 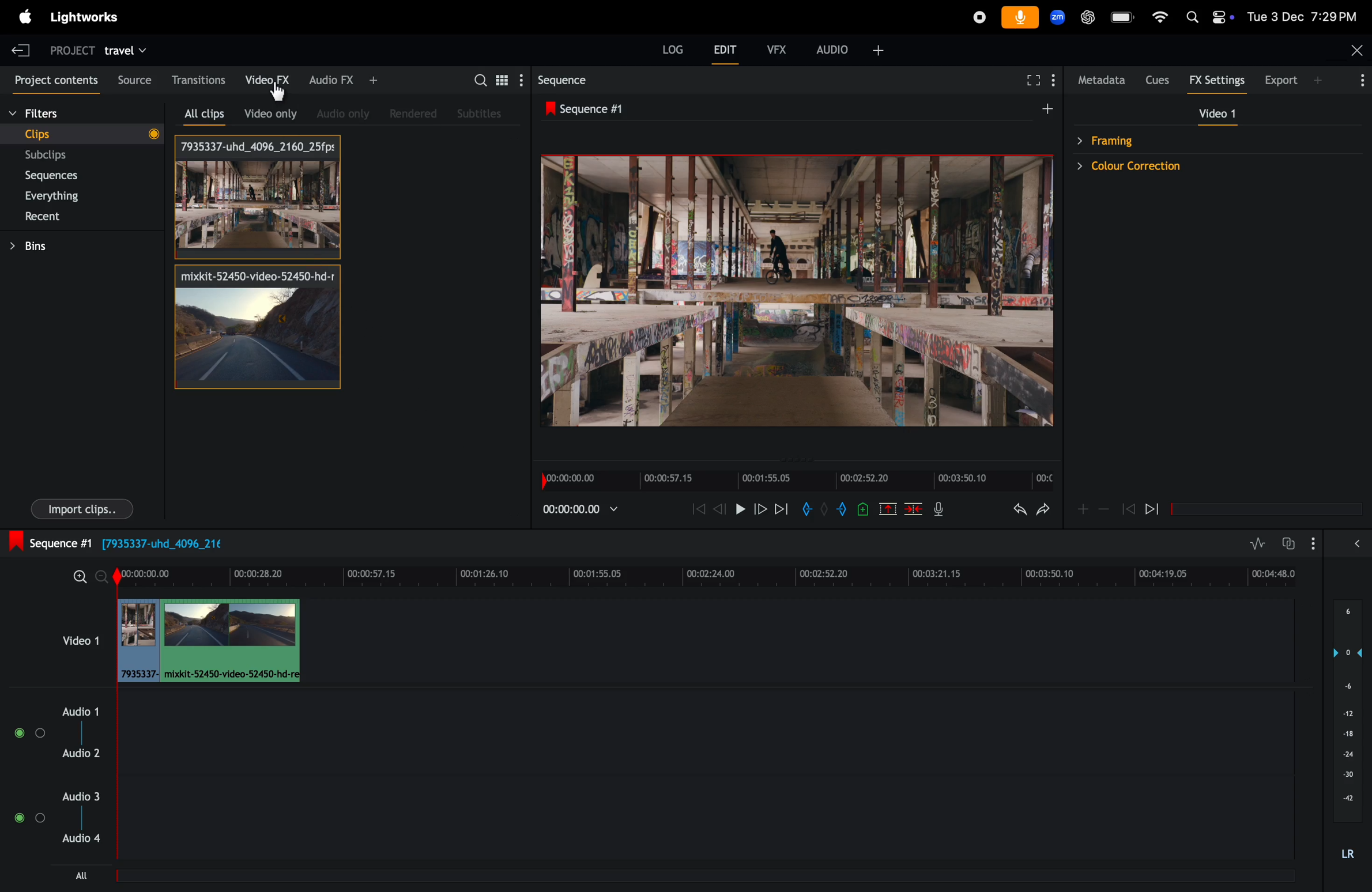 I want to click on all, so click(x=86, y=876).